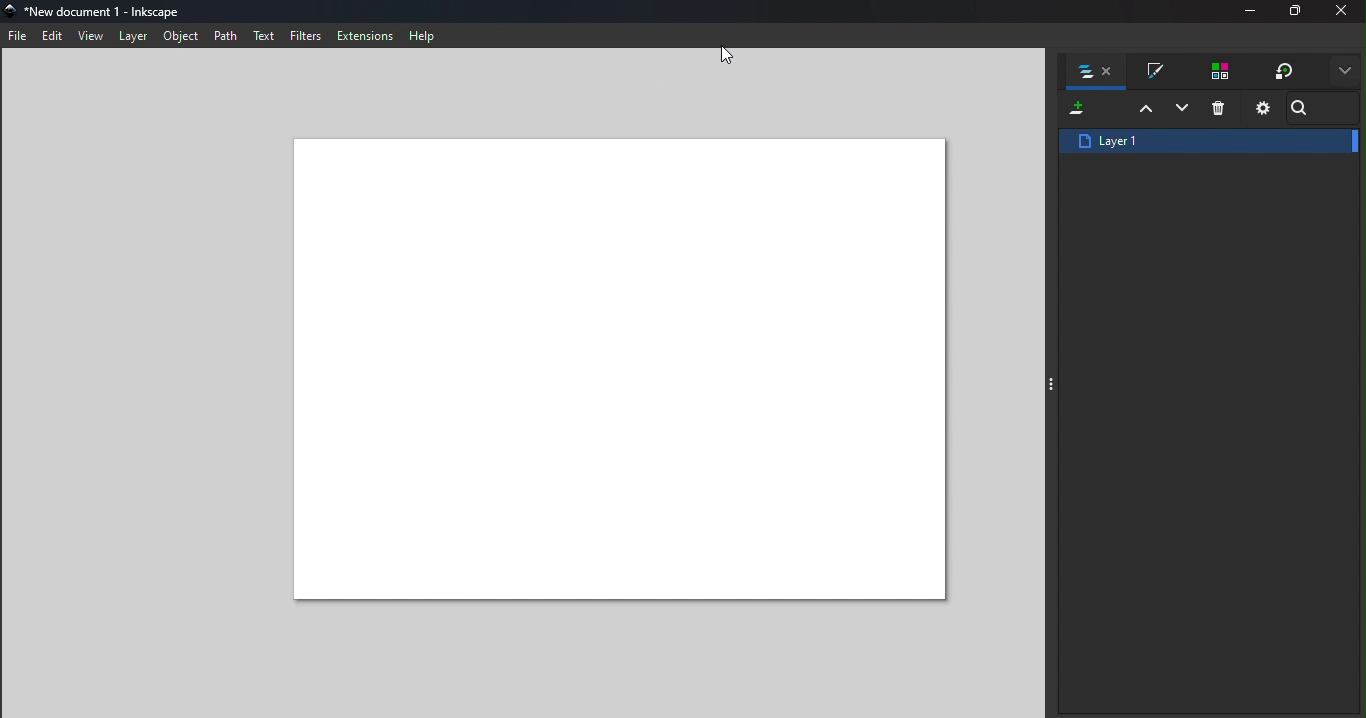 The width and height of the screenshot is (1366, 718). Describe the element at coordinates (104, 11) in the screenshot. I see `File name` at that location.